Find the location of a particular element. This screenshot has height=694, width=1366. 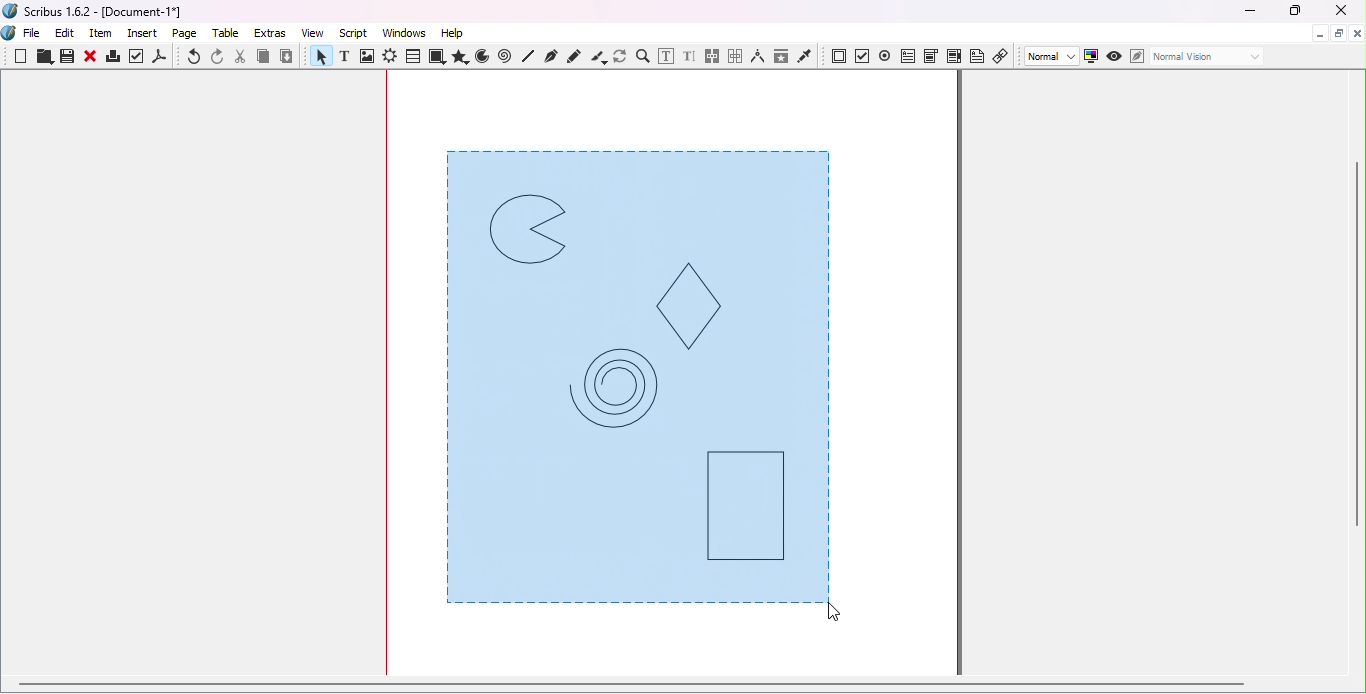

Cut is located at coordinates (241, 57).